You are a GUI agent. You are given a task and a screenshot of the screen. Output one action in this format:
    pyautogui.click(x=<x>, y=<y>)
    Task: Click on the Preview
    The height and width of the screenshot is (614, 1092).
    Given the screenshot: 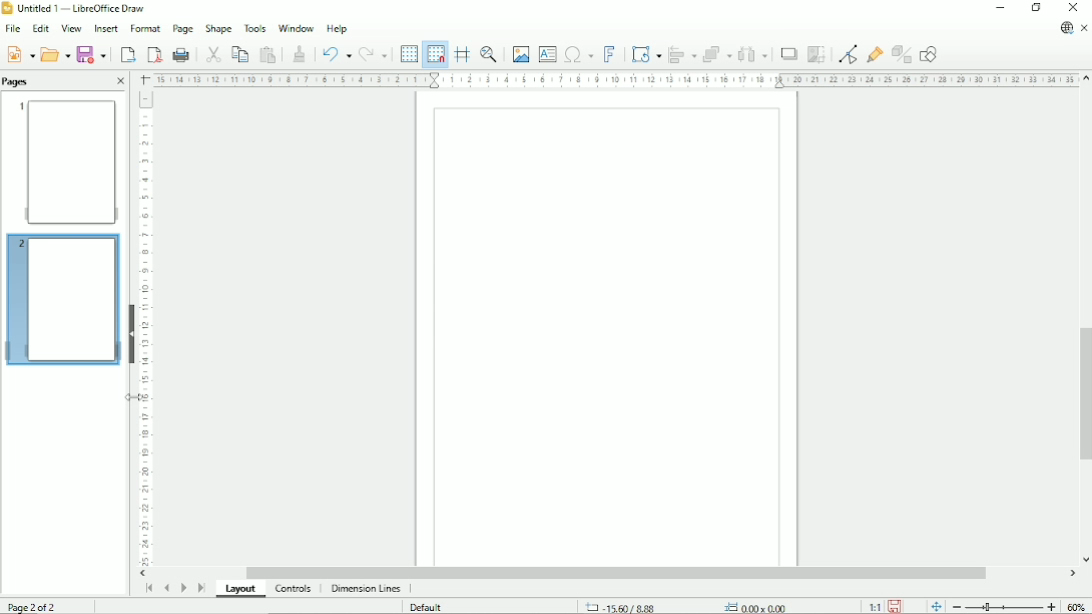 What is the action you would take?
    pyautogui.click(x=65, y=161)
    